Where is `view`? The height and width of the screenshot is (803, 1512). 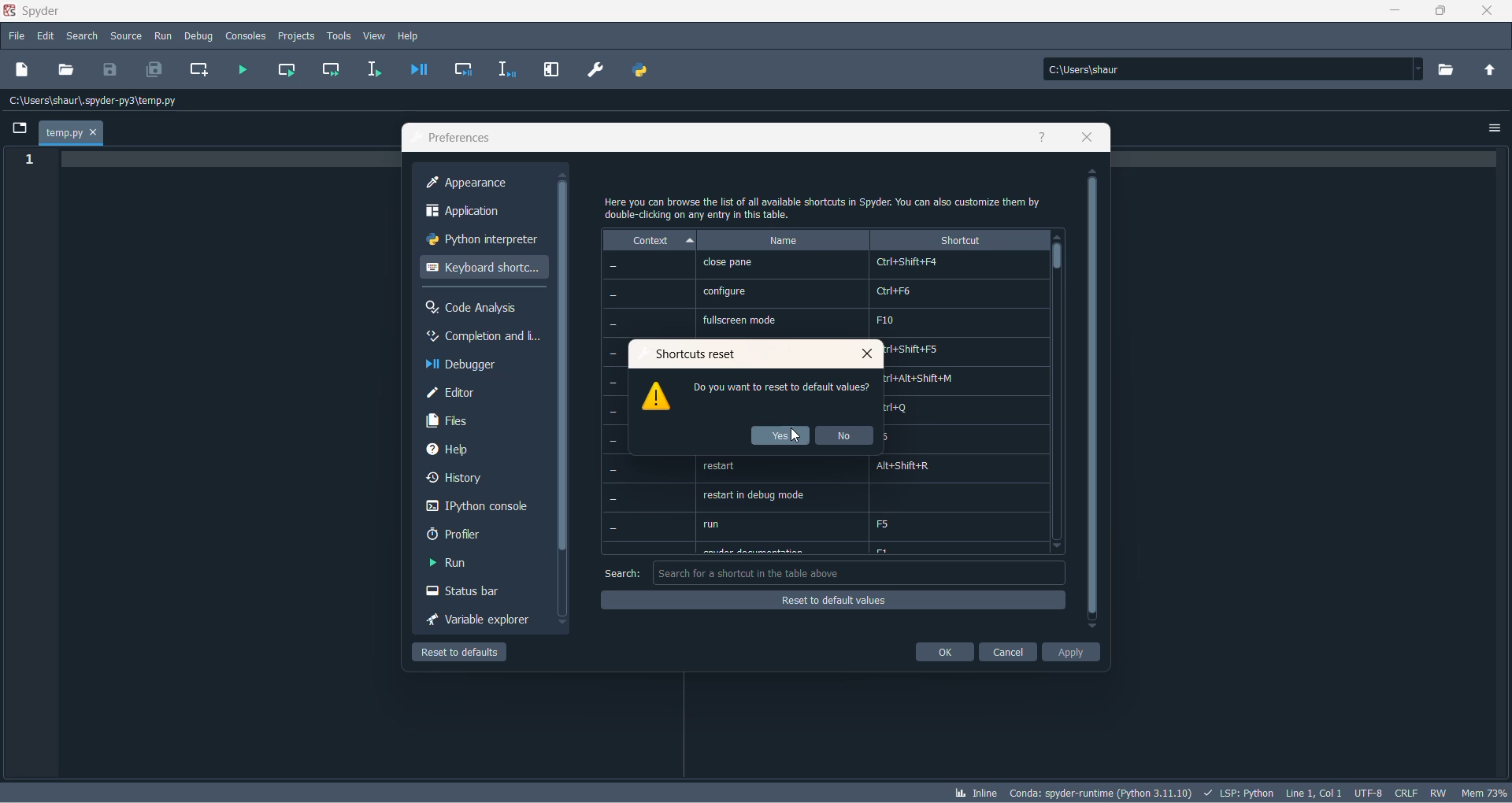 view is located at coordinates (376, 36).